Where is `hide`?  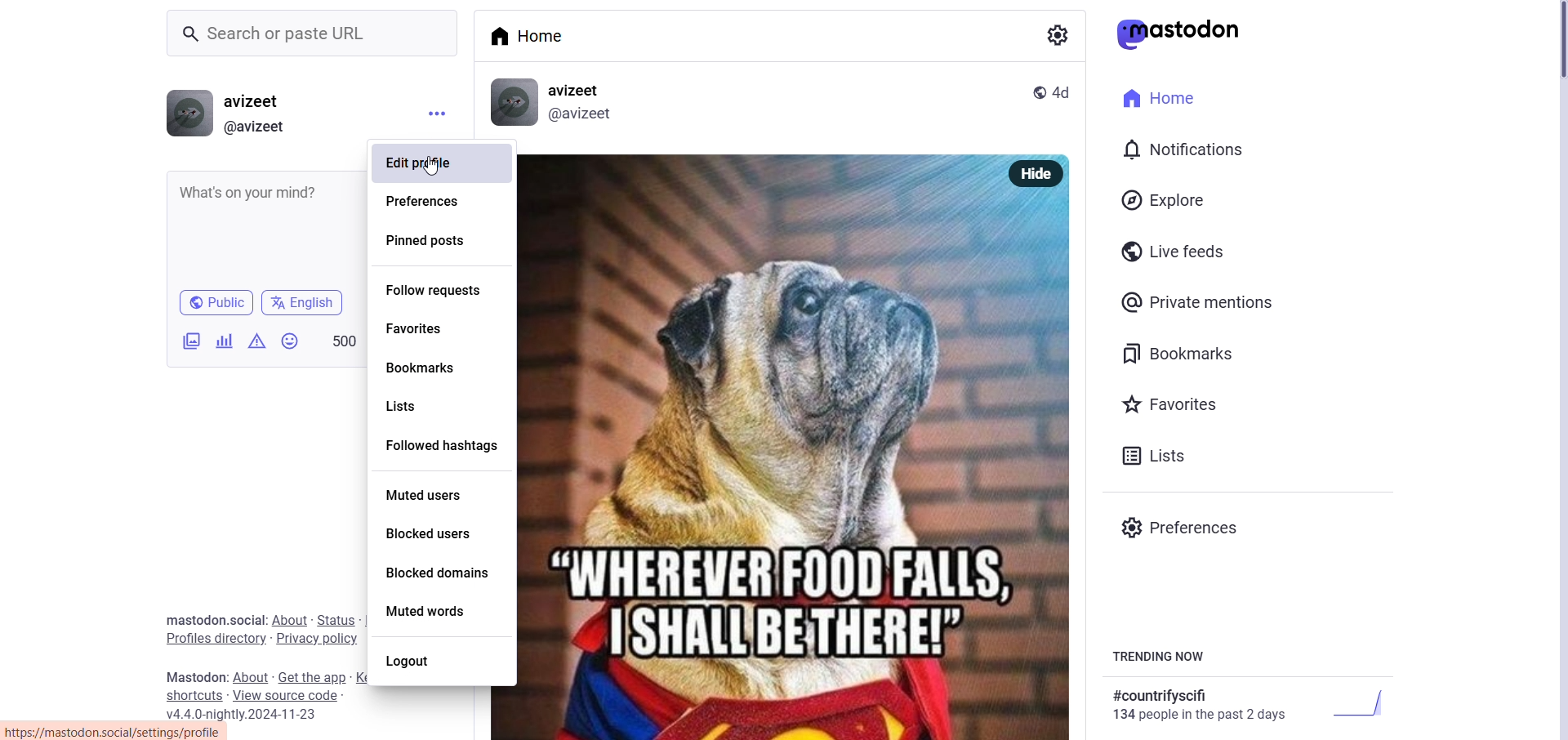 hide is located at coordinates (1036, 174).